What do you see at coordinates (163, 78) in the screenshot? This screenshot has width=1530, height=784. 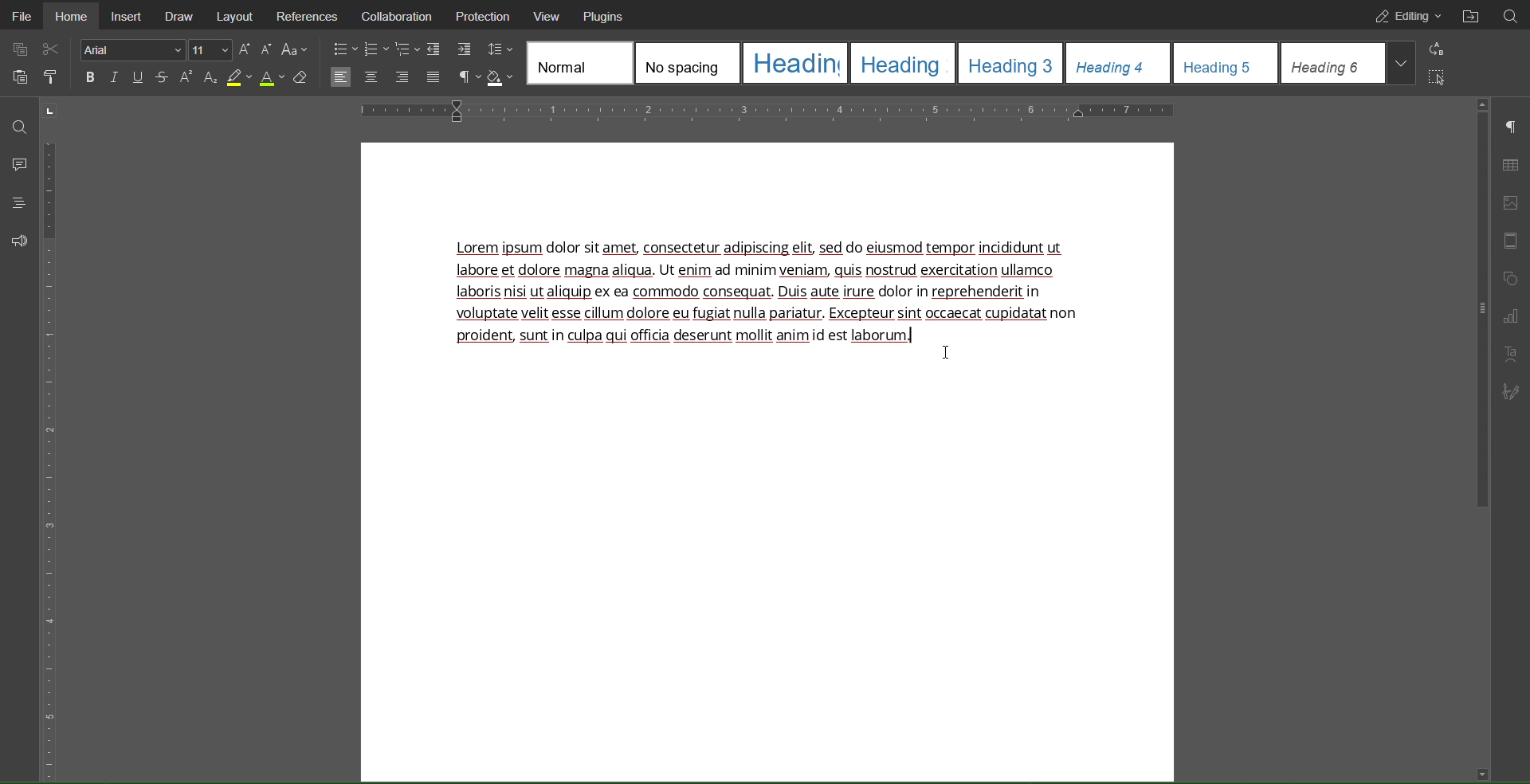 I see `Strikeout` at bounding box center [163, 78].